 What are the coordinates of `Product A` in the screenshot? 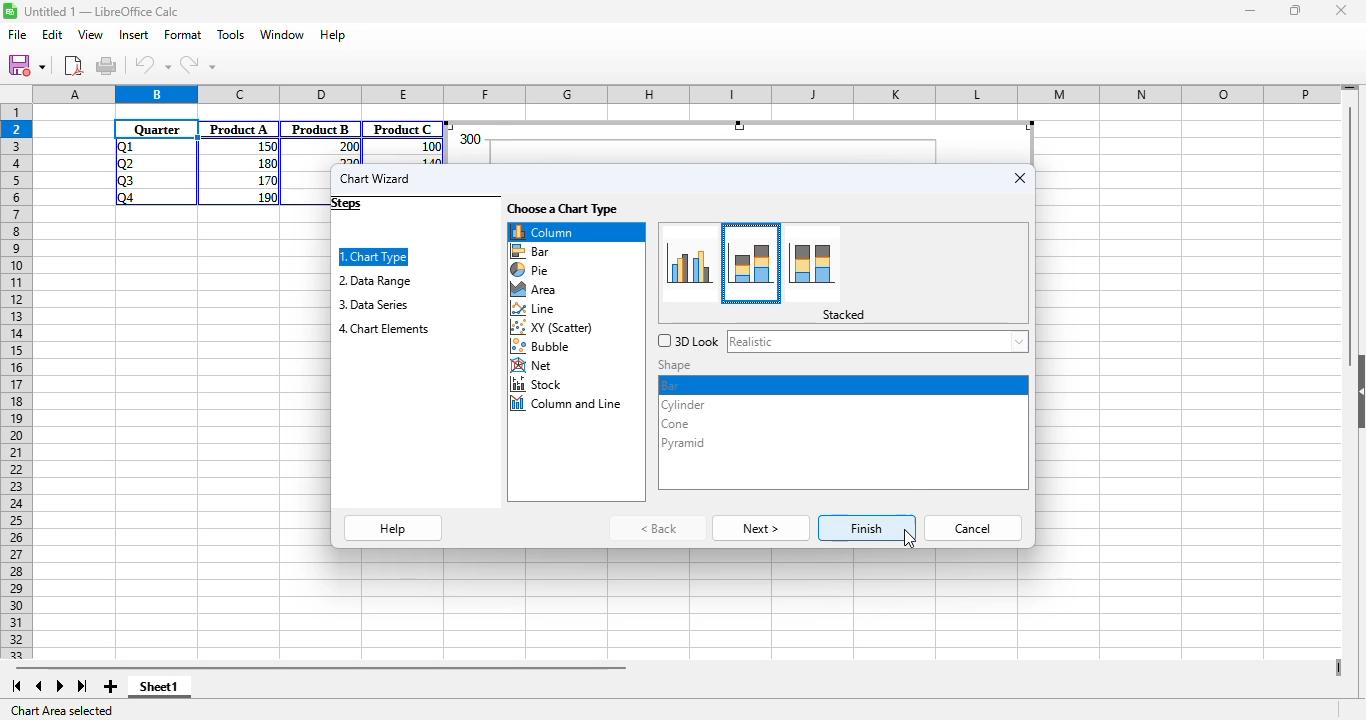 It's located at (239, 129).